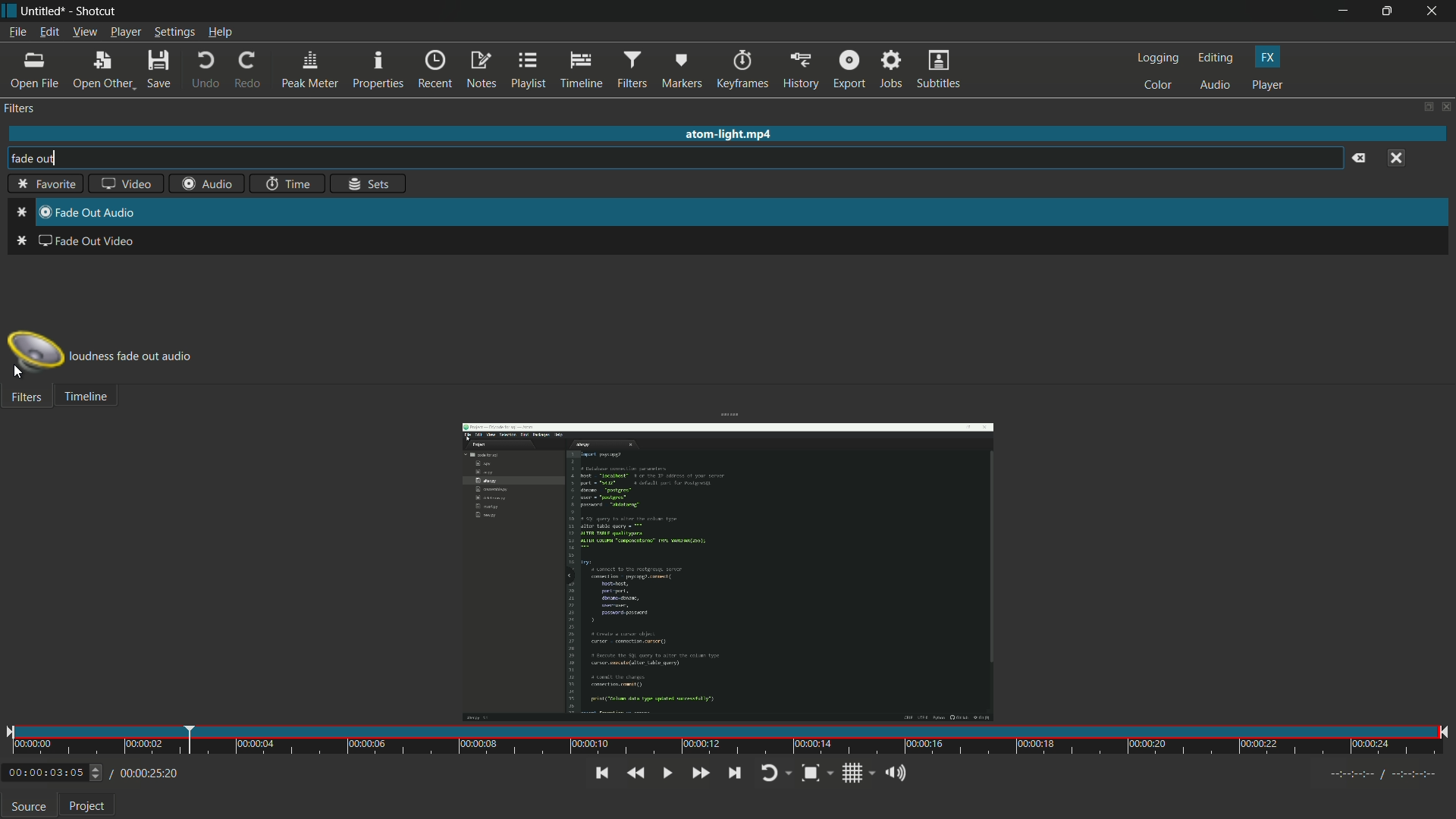  Describe the element at coordinates (889, 70) in the screenshot. I see `jobs` at that location.